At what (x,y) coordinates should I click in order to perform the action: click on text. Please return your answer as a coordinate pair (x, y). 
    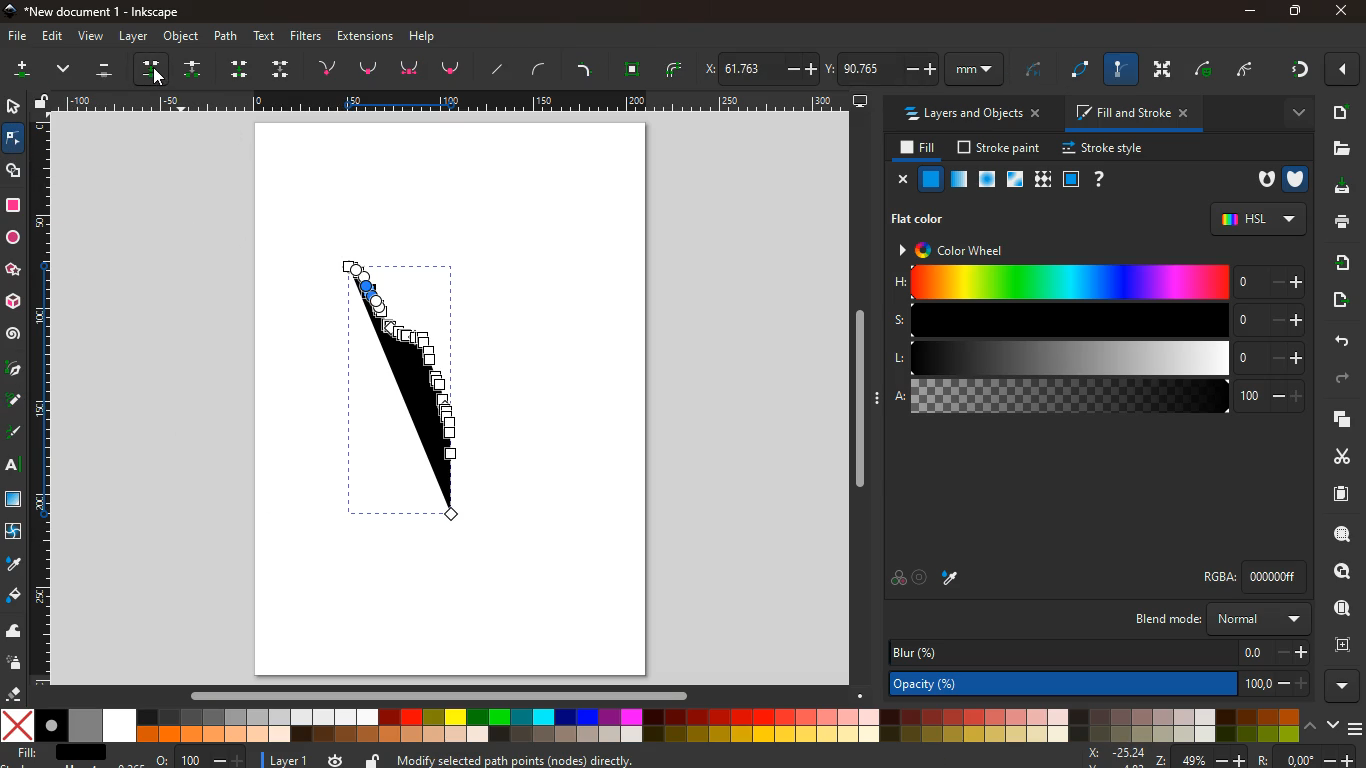
    Looking at the image, I should click on (266, 36).